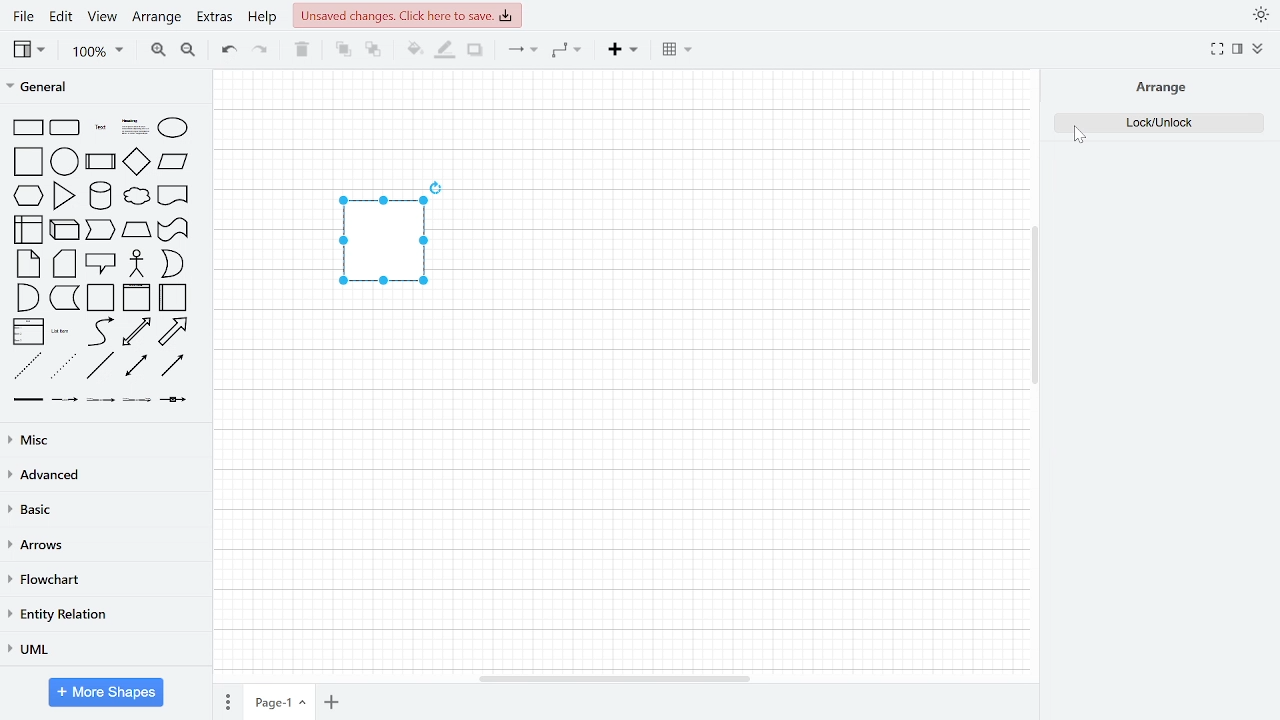 This screenshot has width=1280, height=720. Describe the element at coordinates (523, 50) in the screenshot. I see `connector` at that location.